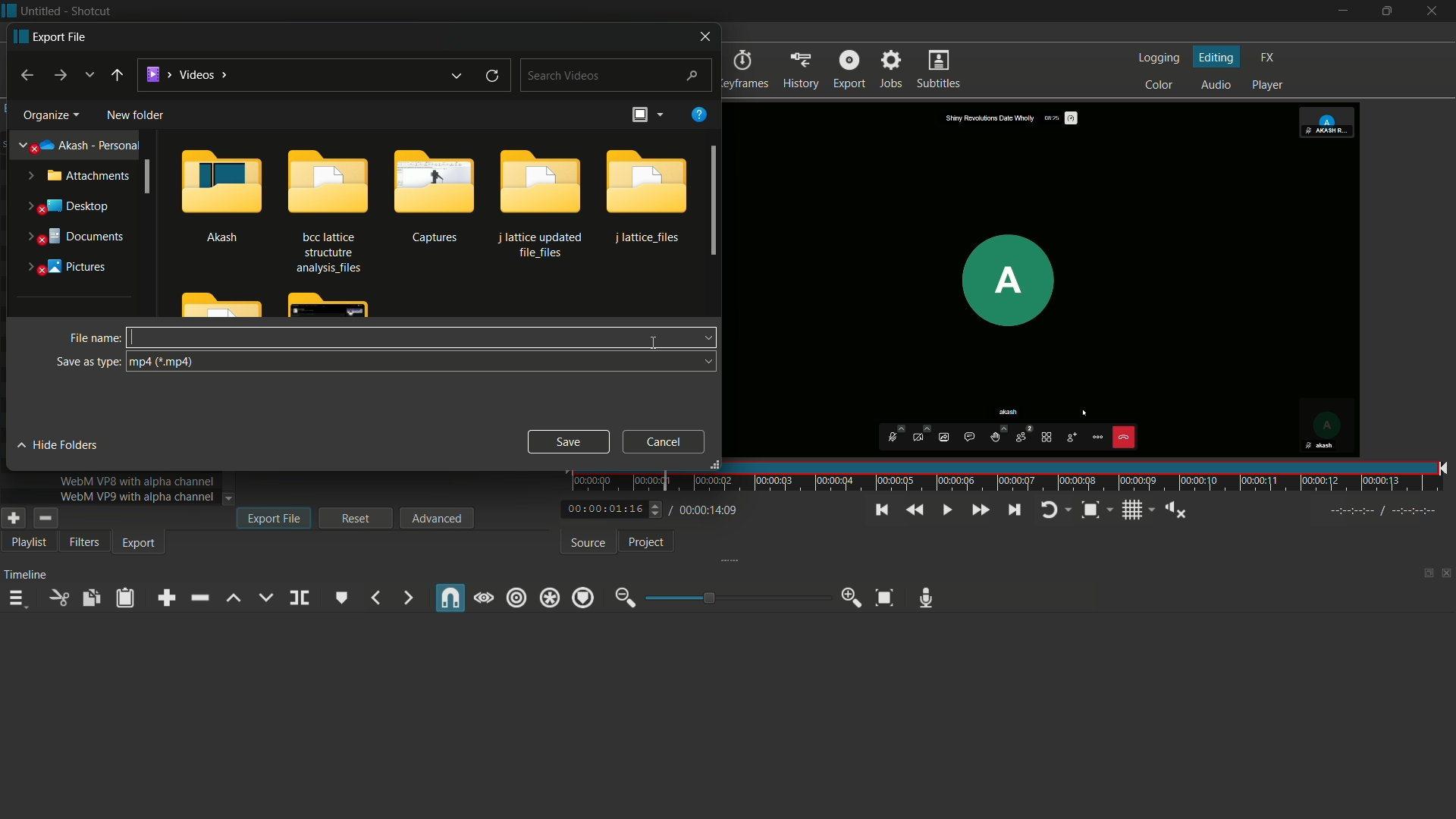 This screenshot has height=819, width=1456. I want to click on toggle play or pause, so click(947, 510).